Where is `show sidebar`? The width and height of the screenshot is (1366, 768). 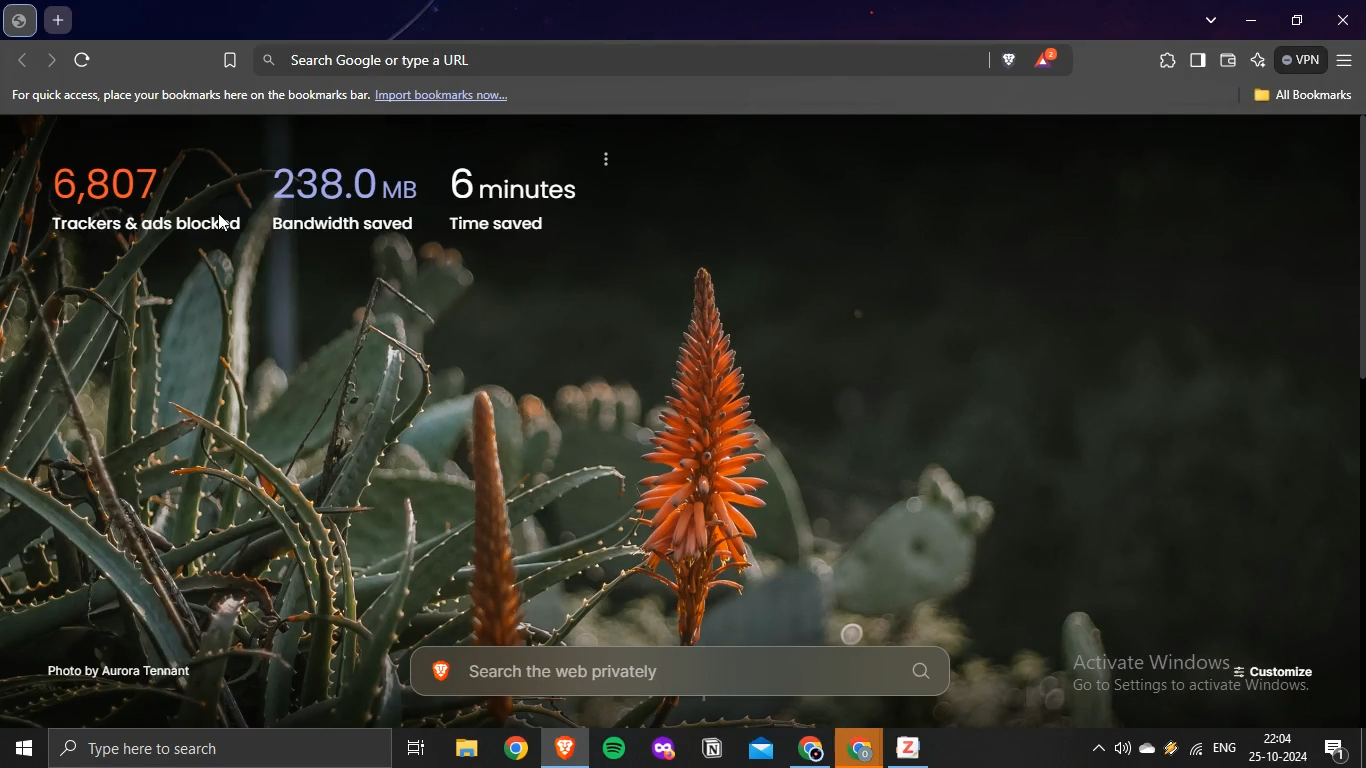 show sidebar is located at coordinates (1198, 58).